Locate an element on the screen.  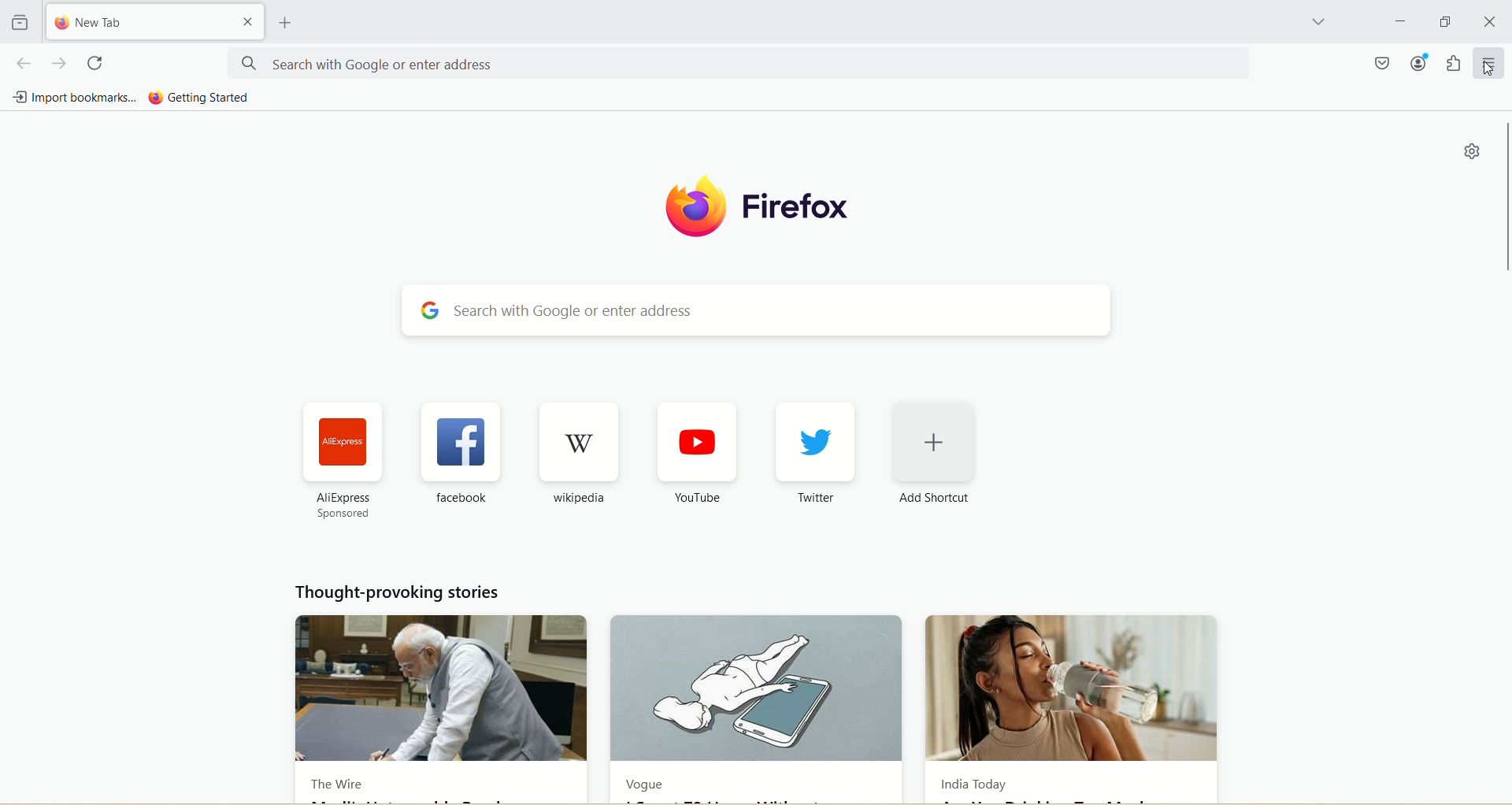
wikipedia is located at coordinates (577, 498).